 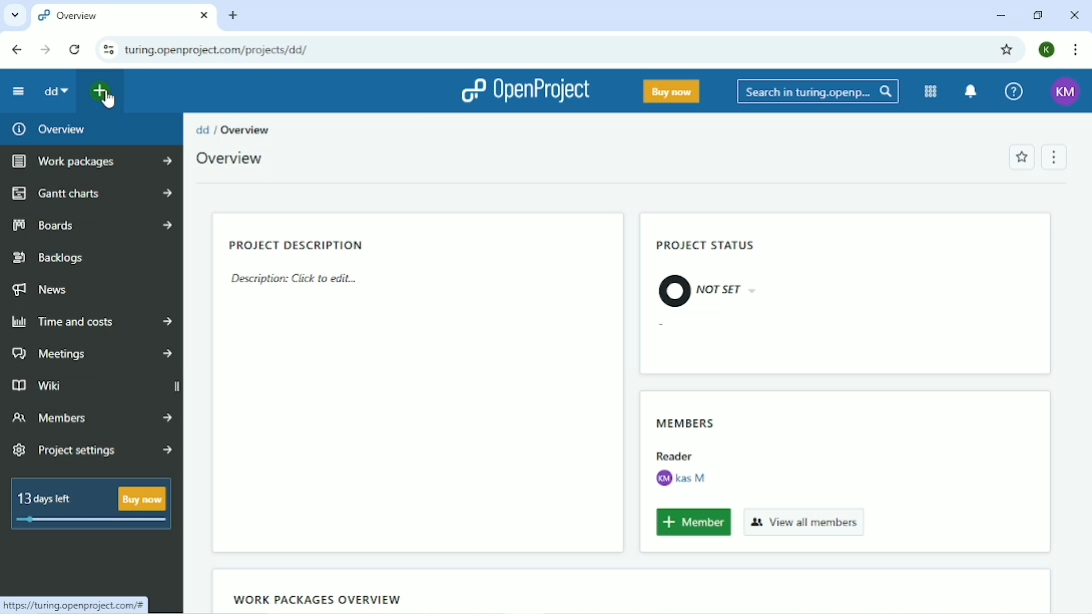 I want to click on K, so click(x=1046, y=49).